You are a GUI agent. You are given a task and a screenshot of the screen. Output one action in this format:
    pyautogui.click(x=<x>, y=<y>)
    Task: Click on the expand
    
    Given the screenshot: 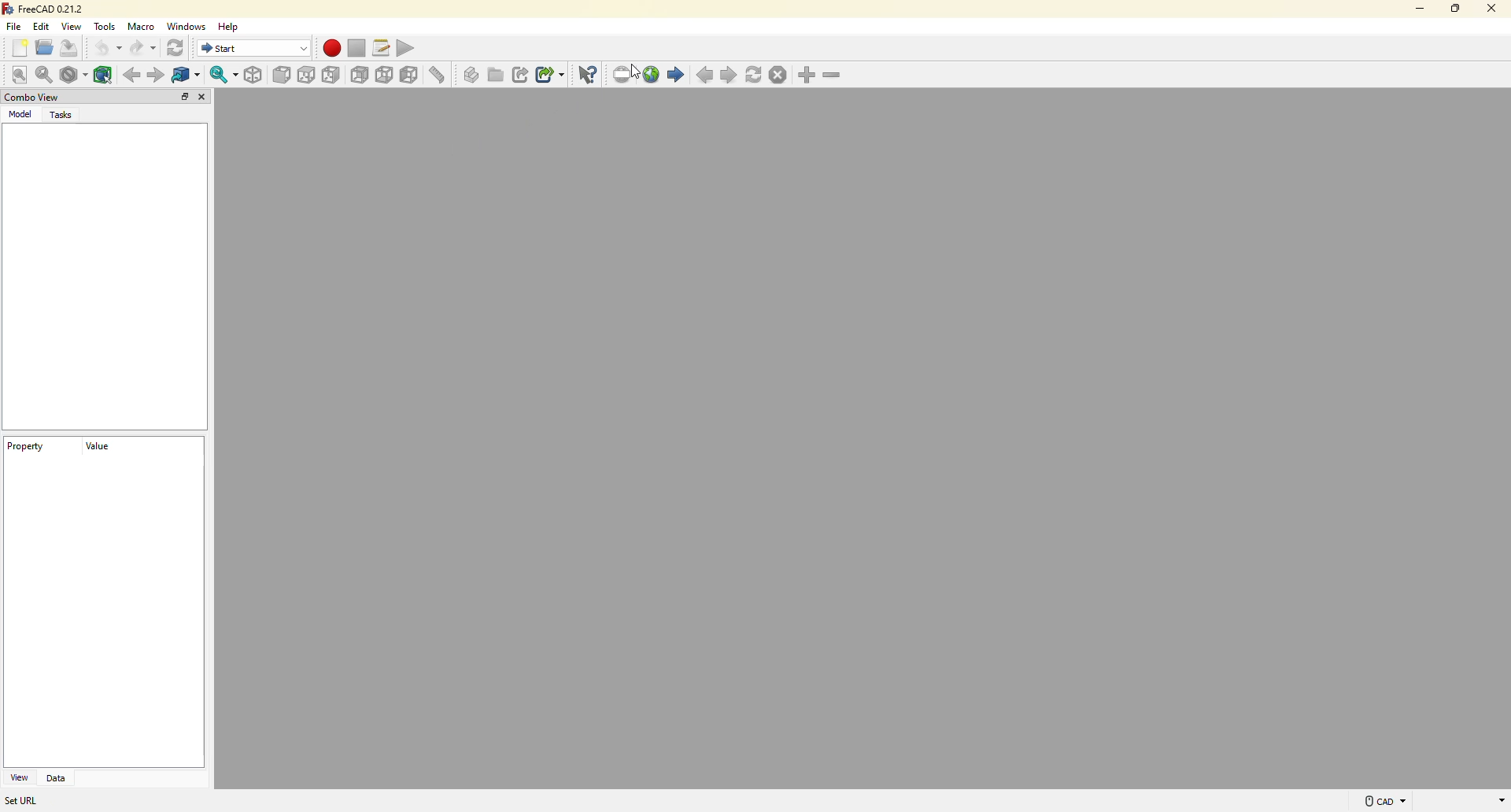 What is the action you would take?
    pyautogui.click(x=185, y=97)
    